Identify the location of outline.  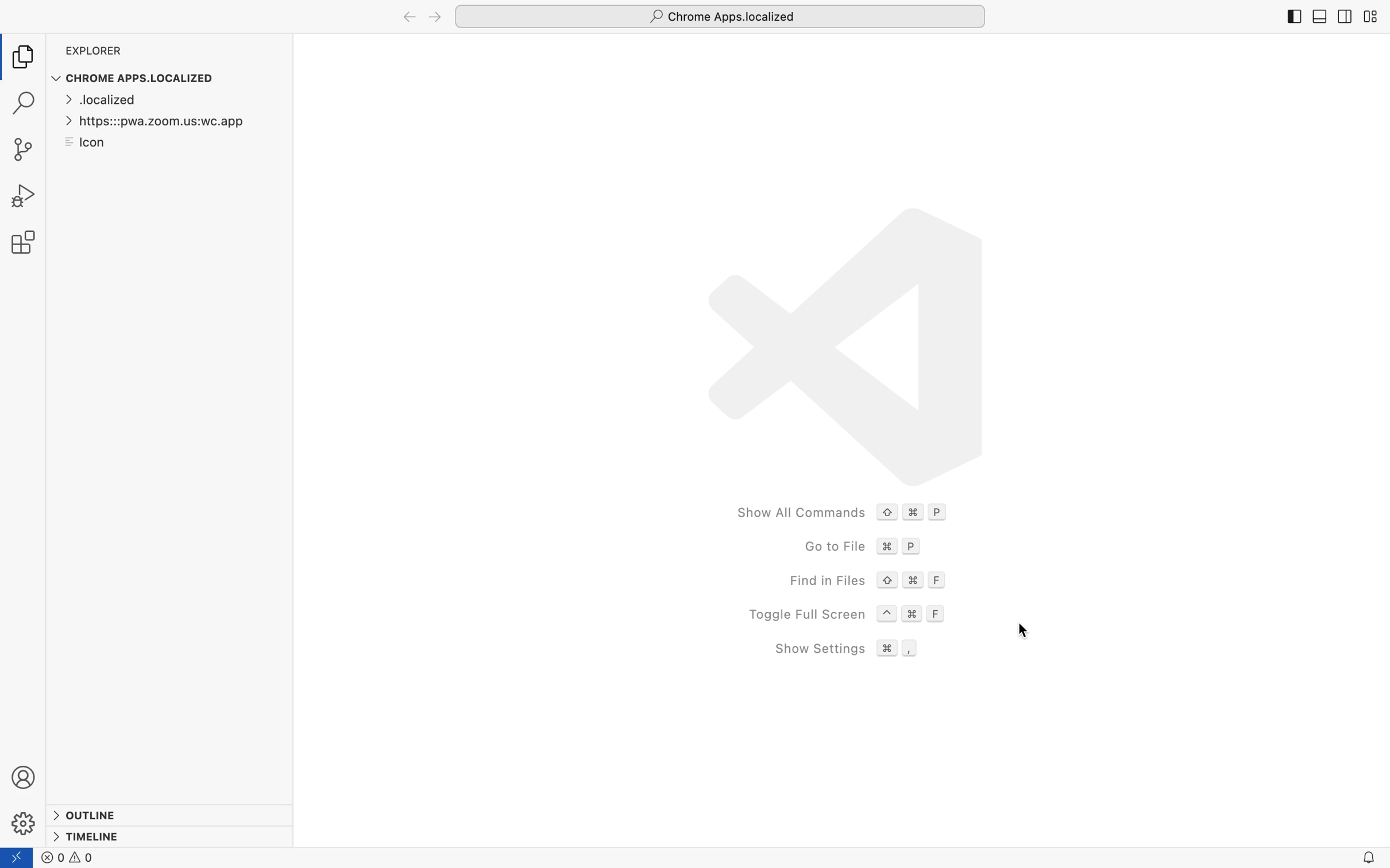
(92, 812).